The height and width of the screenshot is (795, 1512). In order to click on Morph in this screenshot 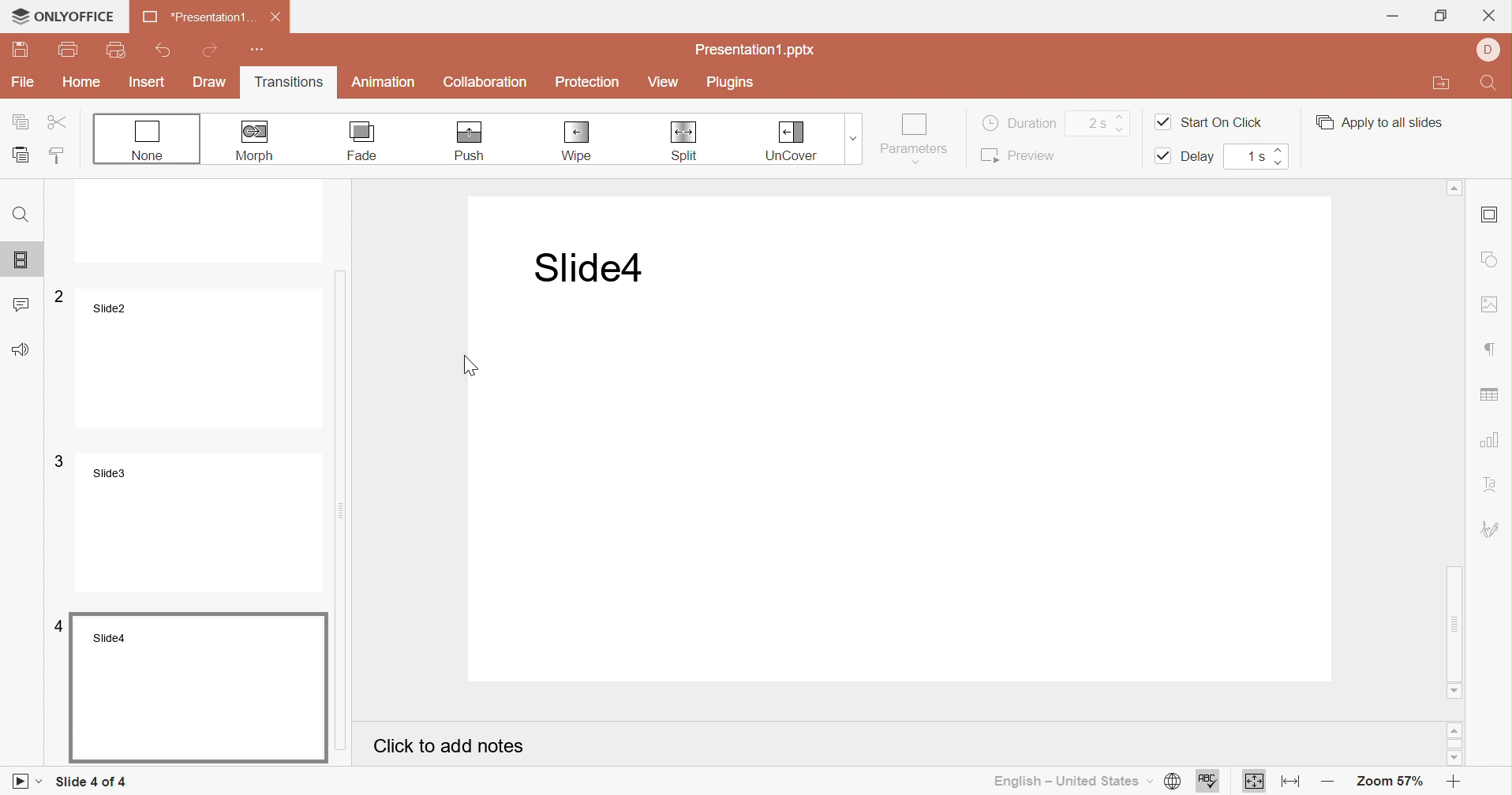, I will do `click(258, 140)`.